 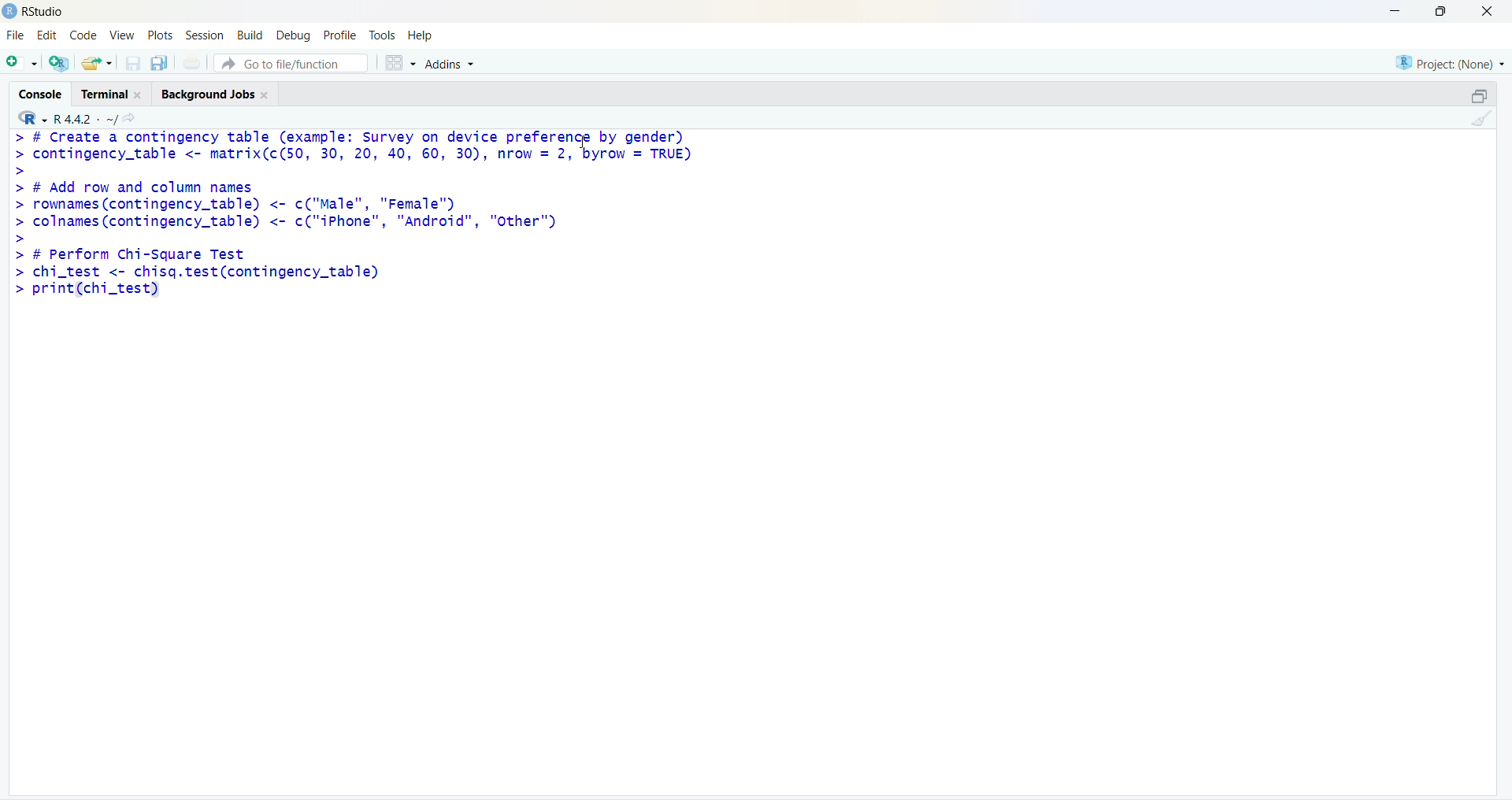 What do you see at coordinates (87, 120) in the screenshot?
I see `R 4.4.2 ~/` at bounding box center [87, 120].